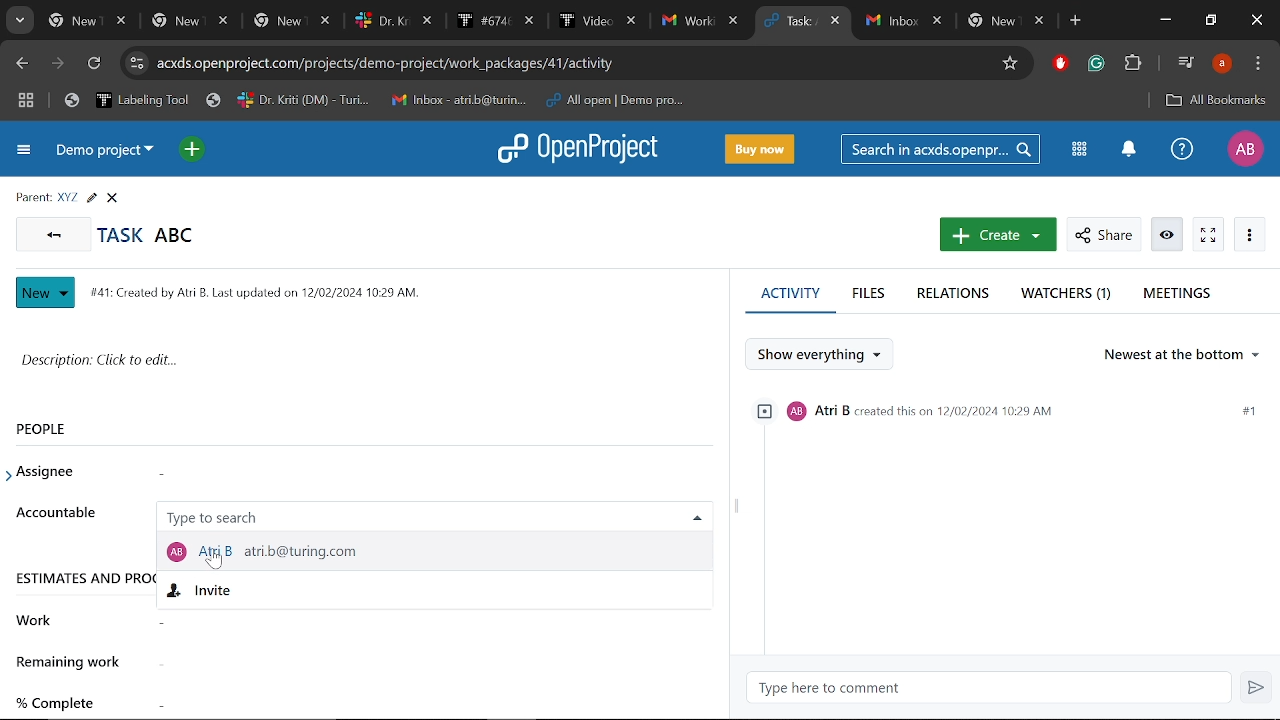 This screenshot has width=1280, height=720. Describe the element at coordinates (1256, 20) in the screenshot. I see `Close` at that location.